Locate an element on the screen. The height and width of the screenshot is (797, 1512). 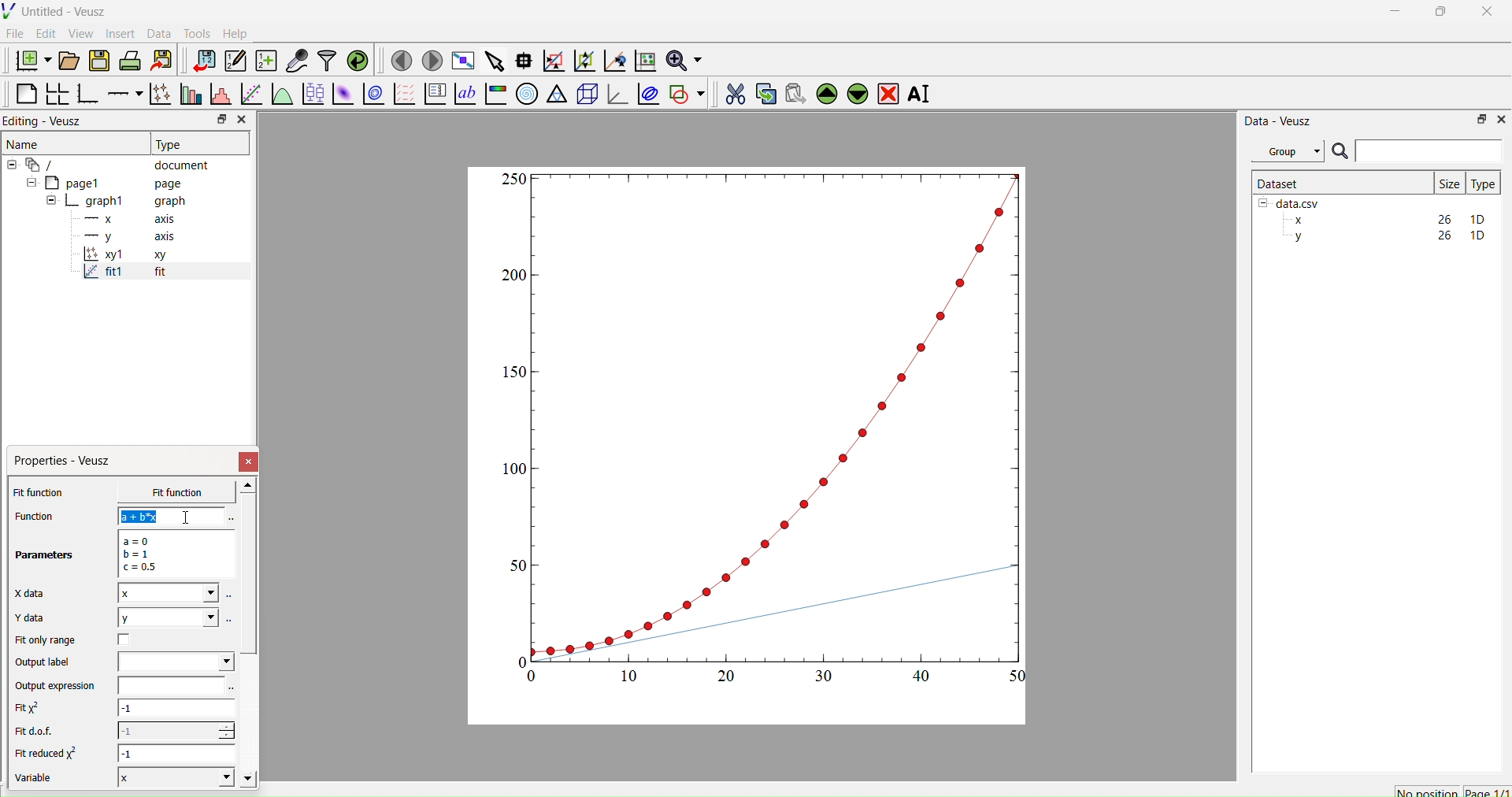
-1 is located at coordinates (176, 730).